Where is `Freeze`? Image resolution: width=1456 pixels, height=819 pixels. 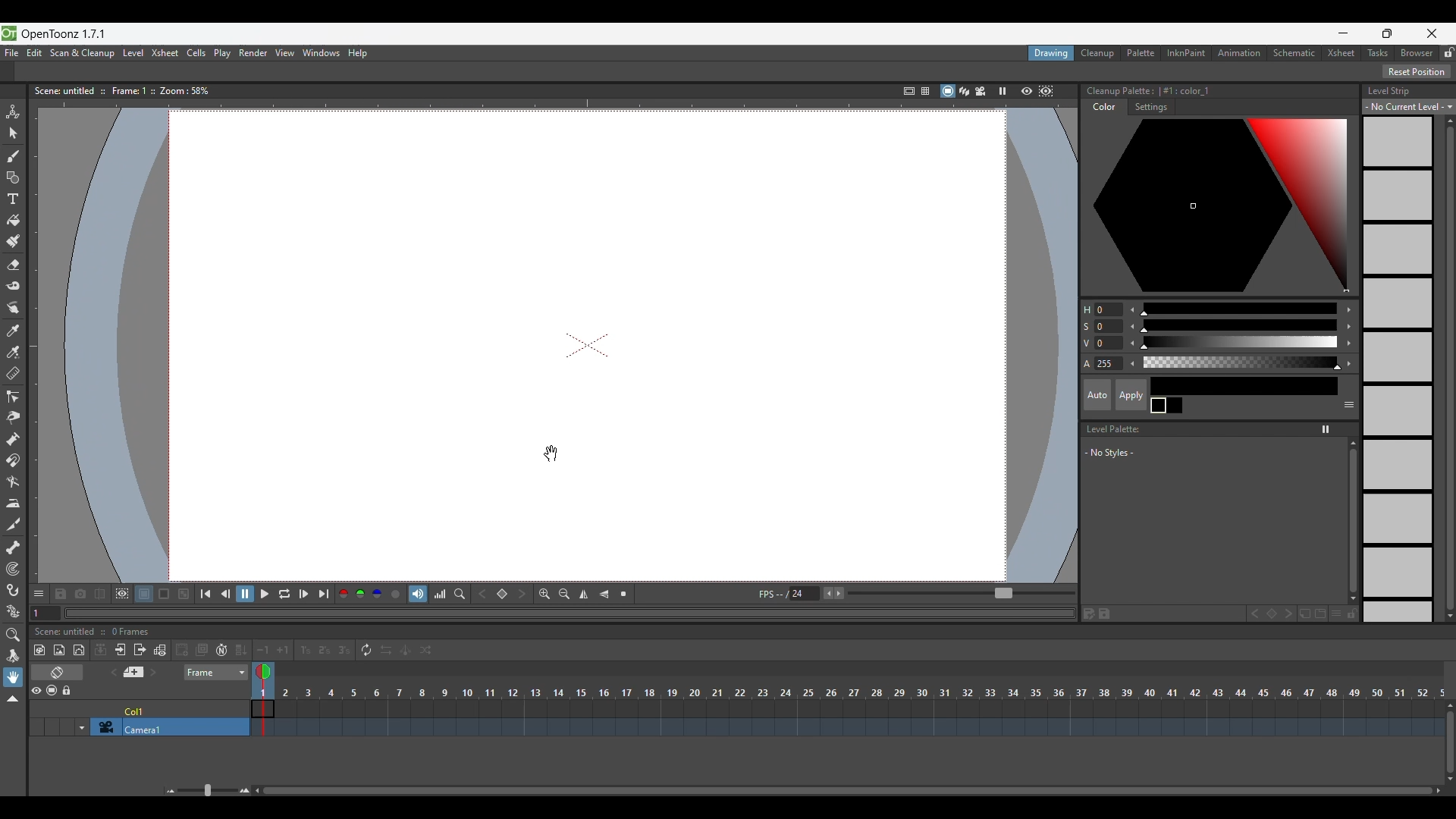
Freeze is located at coordinates (1003, 91).